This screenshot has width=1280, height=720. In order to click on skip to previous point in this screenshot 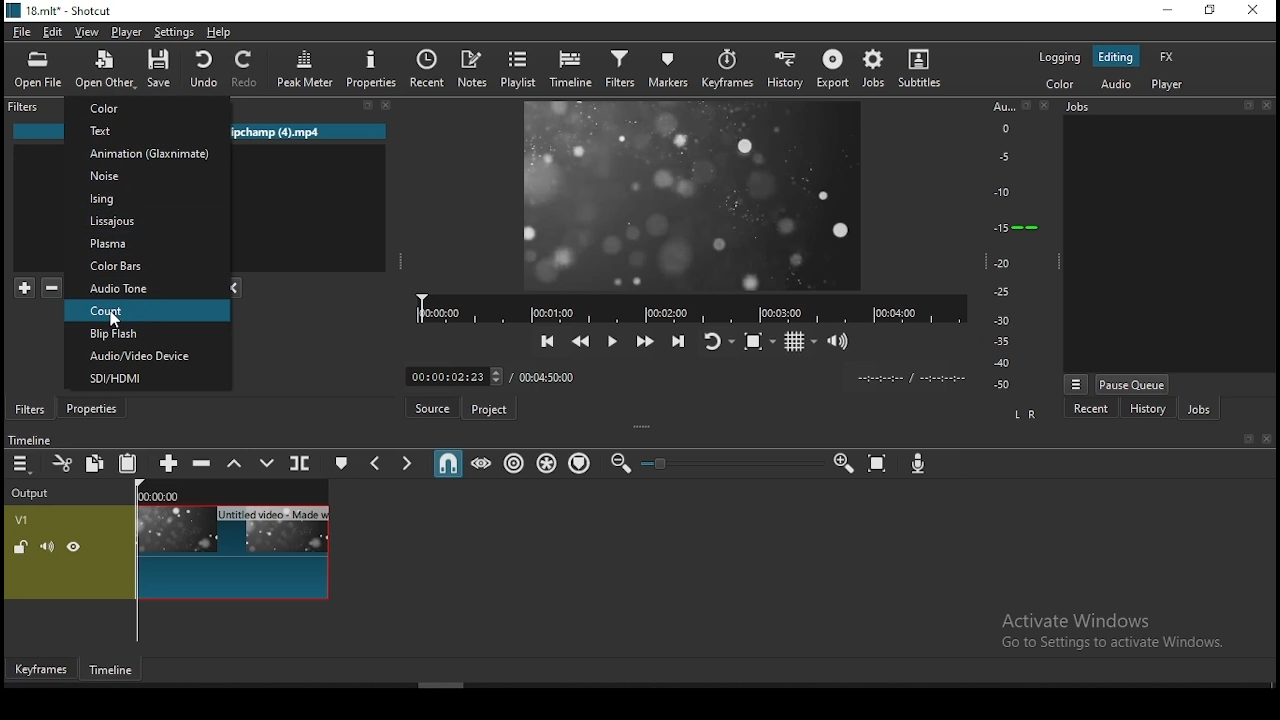, I will do `click(547, 341)`.